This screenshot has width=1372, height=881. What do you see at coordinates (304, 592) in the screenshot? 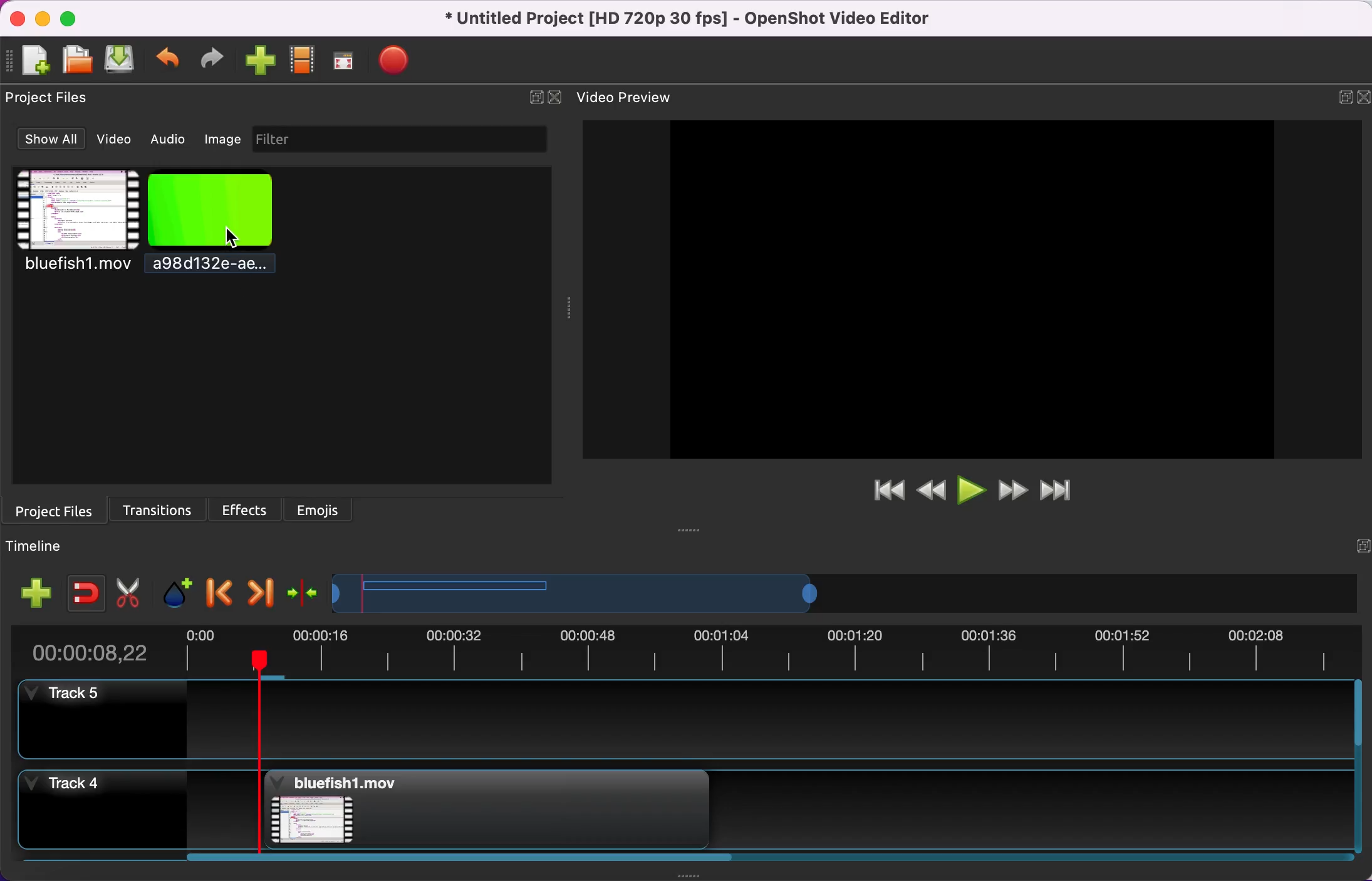
I see `center the timeline` at bounding box center [304, 592].